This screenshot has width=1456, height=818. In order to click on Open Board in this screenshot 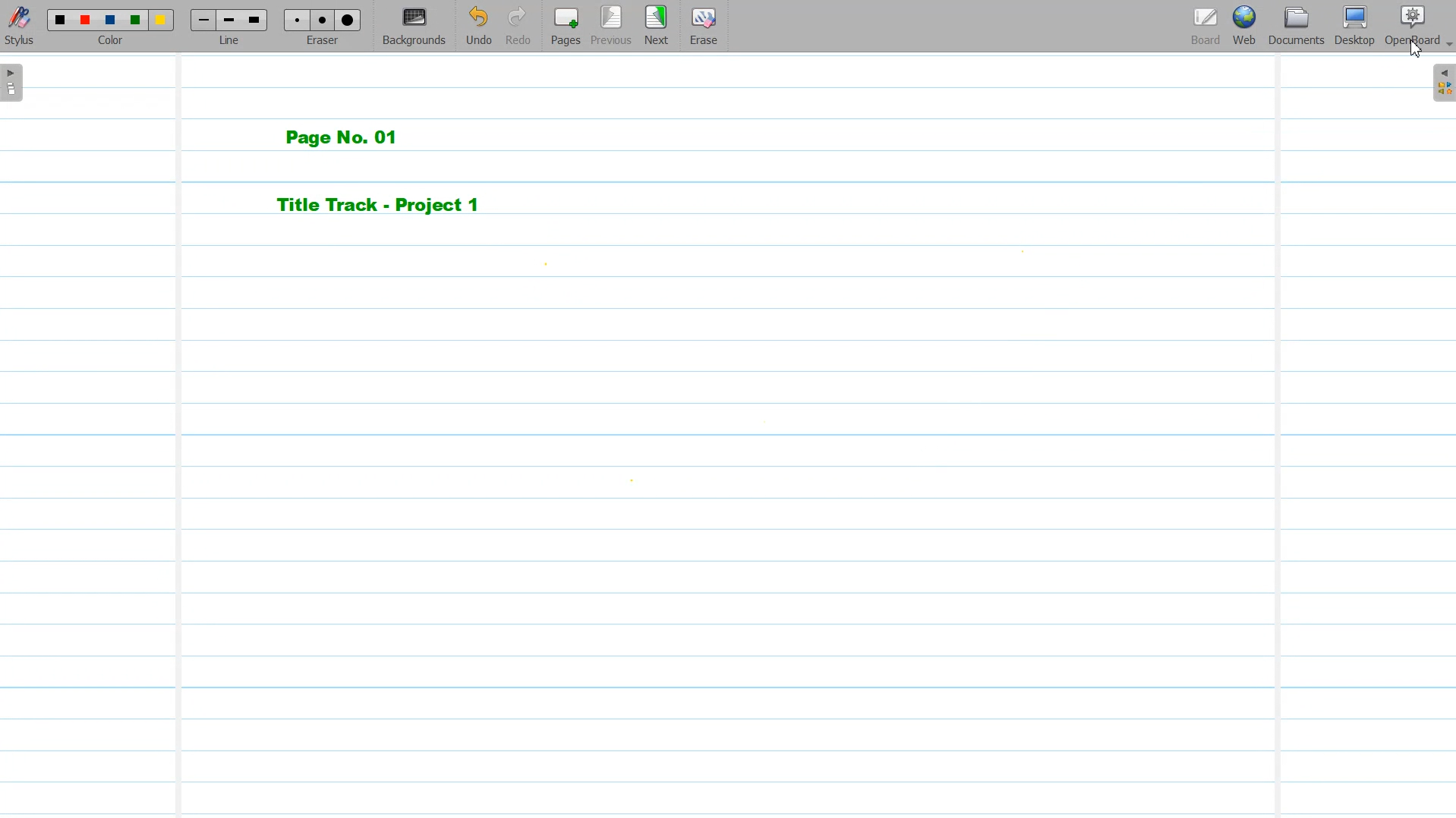, I will do `click(1411, 26)`.